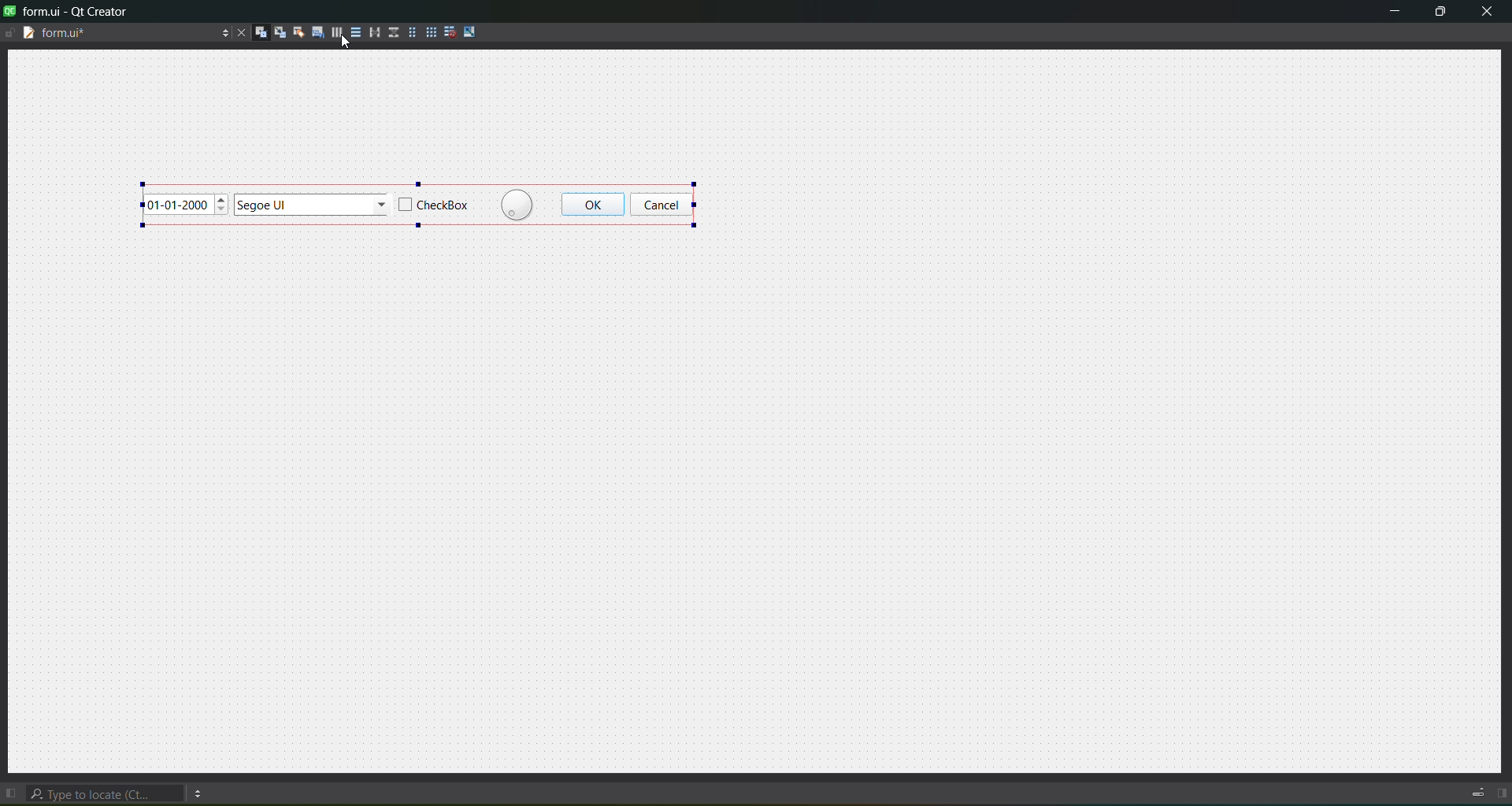 The height and width of the screenshot is (806, 1512). Describe the element at coordinates (76, 34) in the screenshot. I see `tab name` at that location.